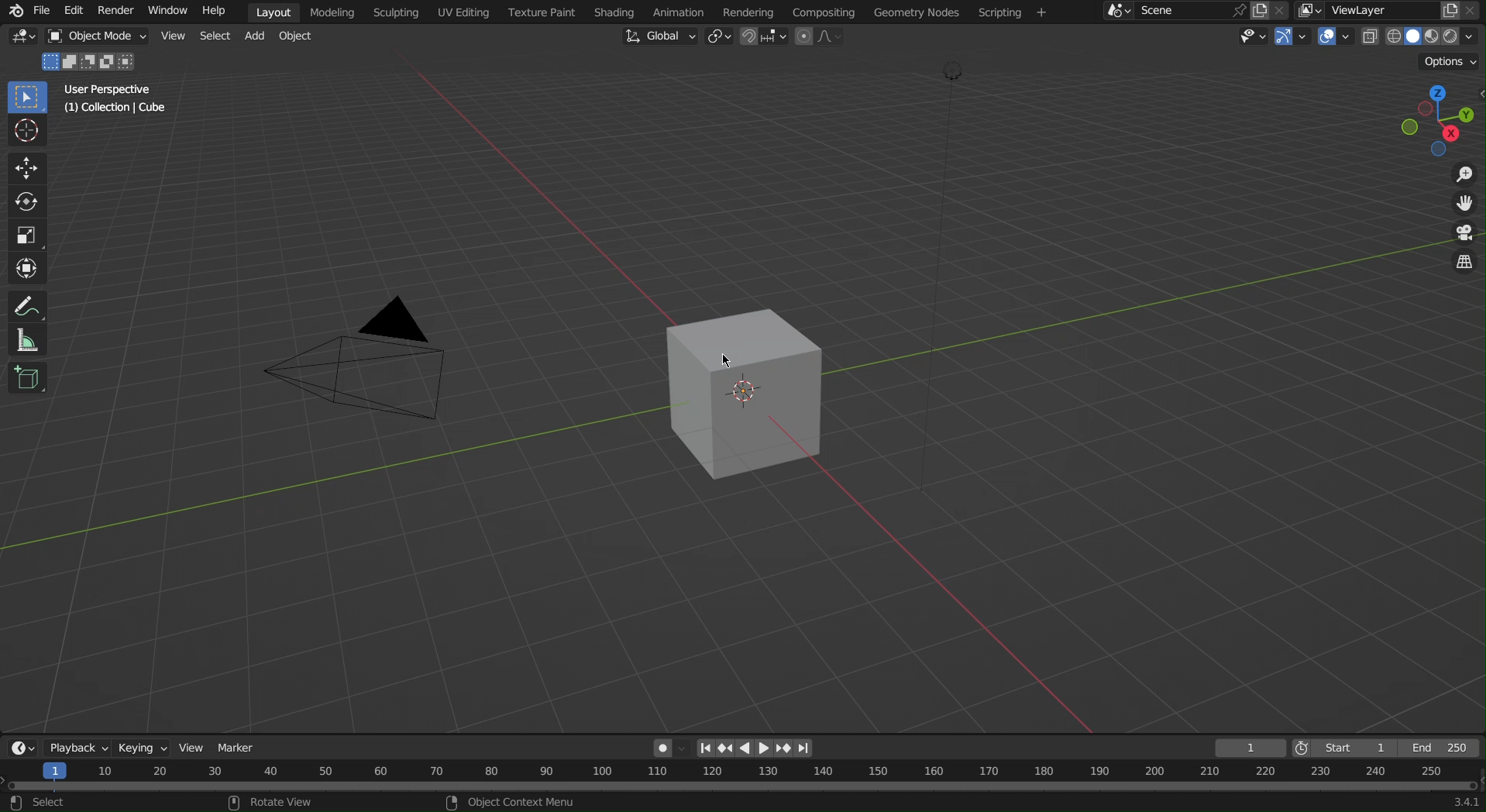 This screenshot has height=812, width=1486. What do you see at coordinates (1250, 36) in the screenshot?
I see `View Objects Type` at bounding box center [1250, 36].